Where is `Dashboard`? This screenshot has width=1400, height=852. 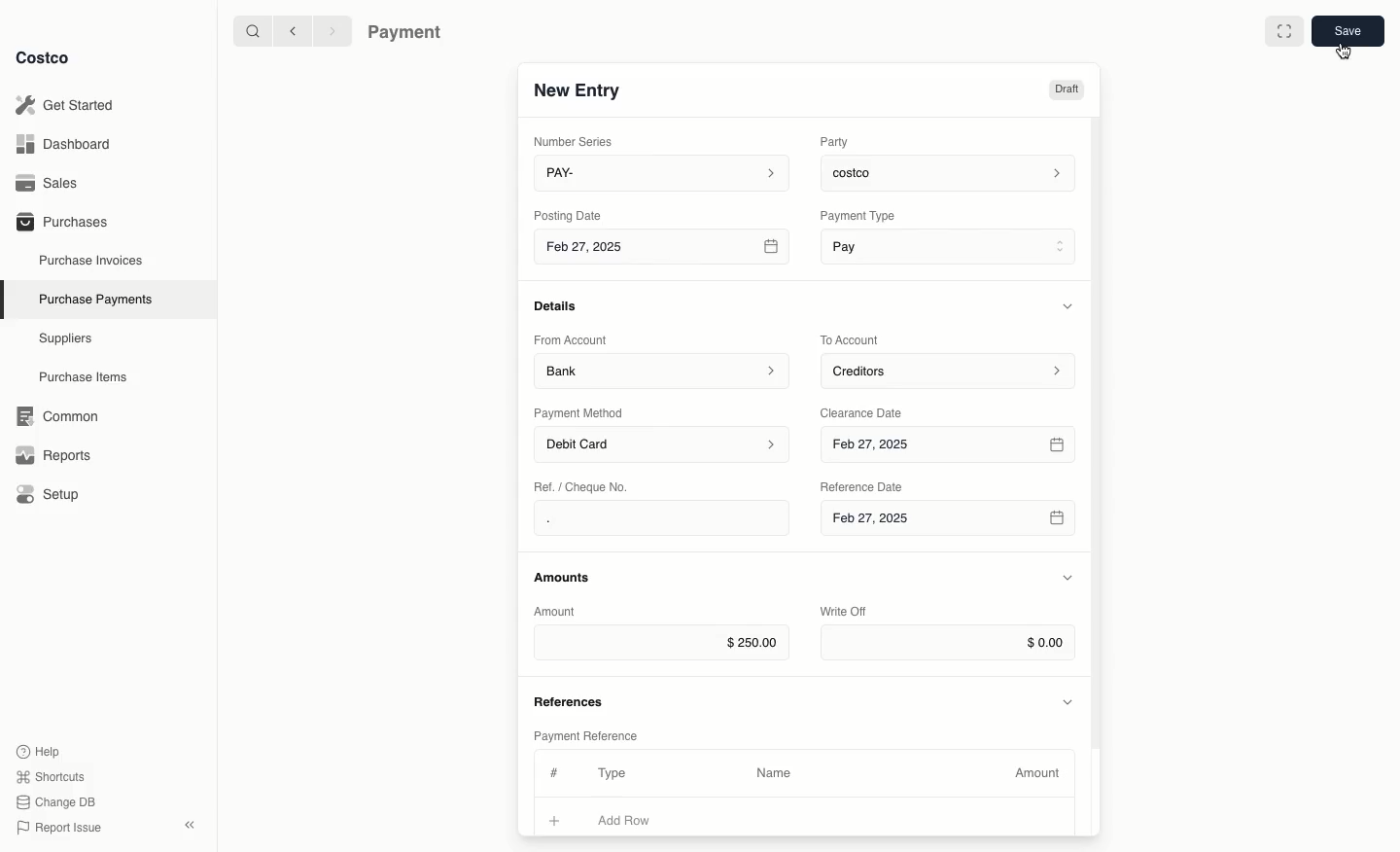
Dashboard is located at coordinates (69, 143).